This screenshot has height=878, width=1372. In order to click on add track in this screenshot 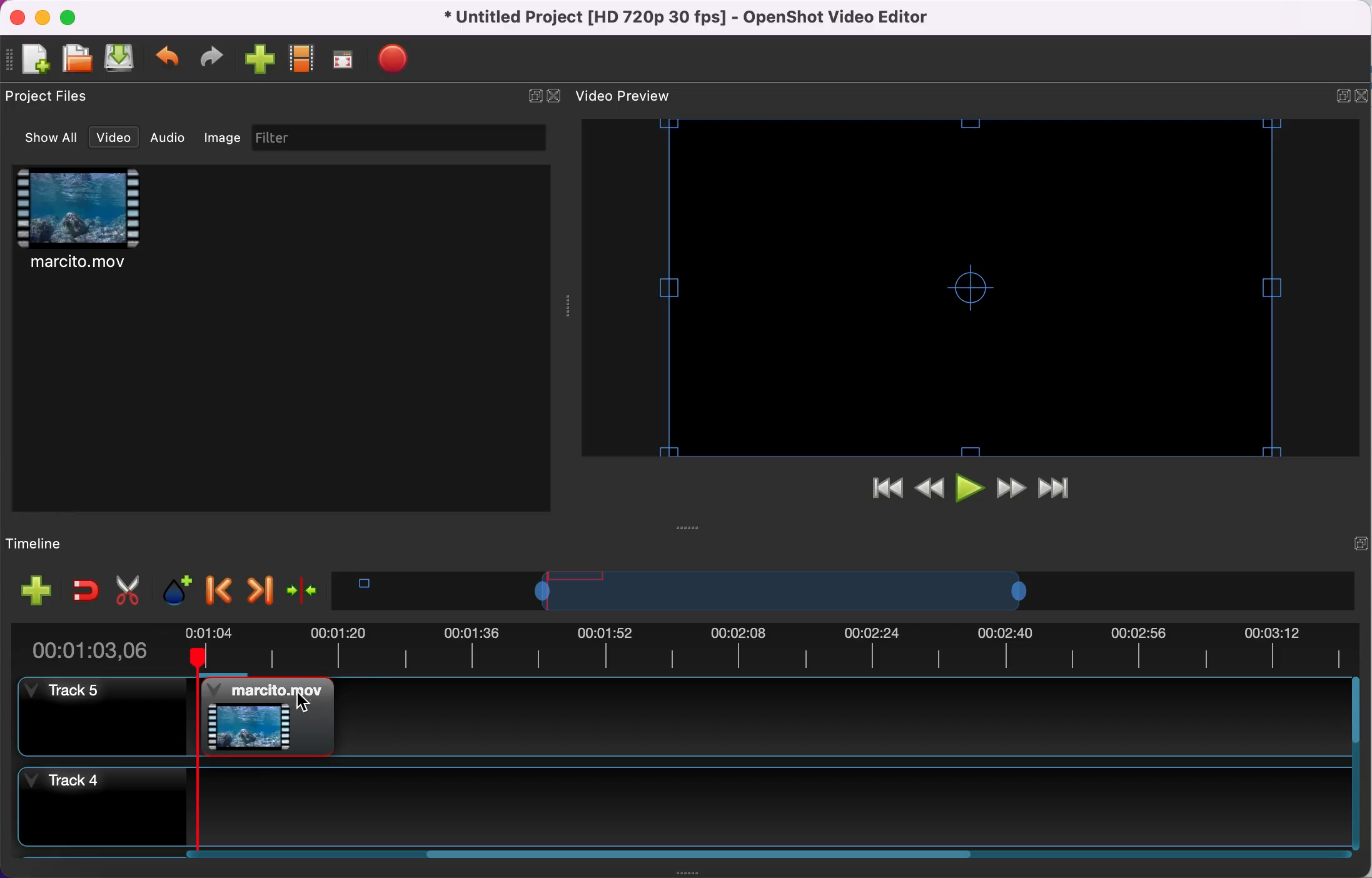, I will do `click(35, 590)`.